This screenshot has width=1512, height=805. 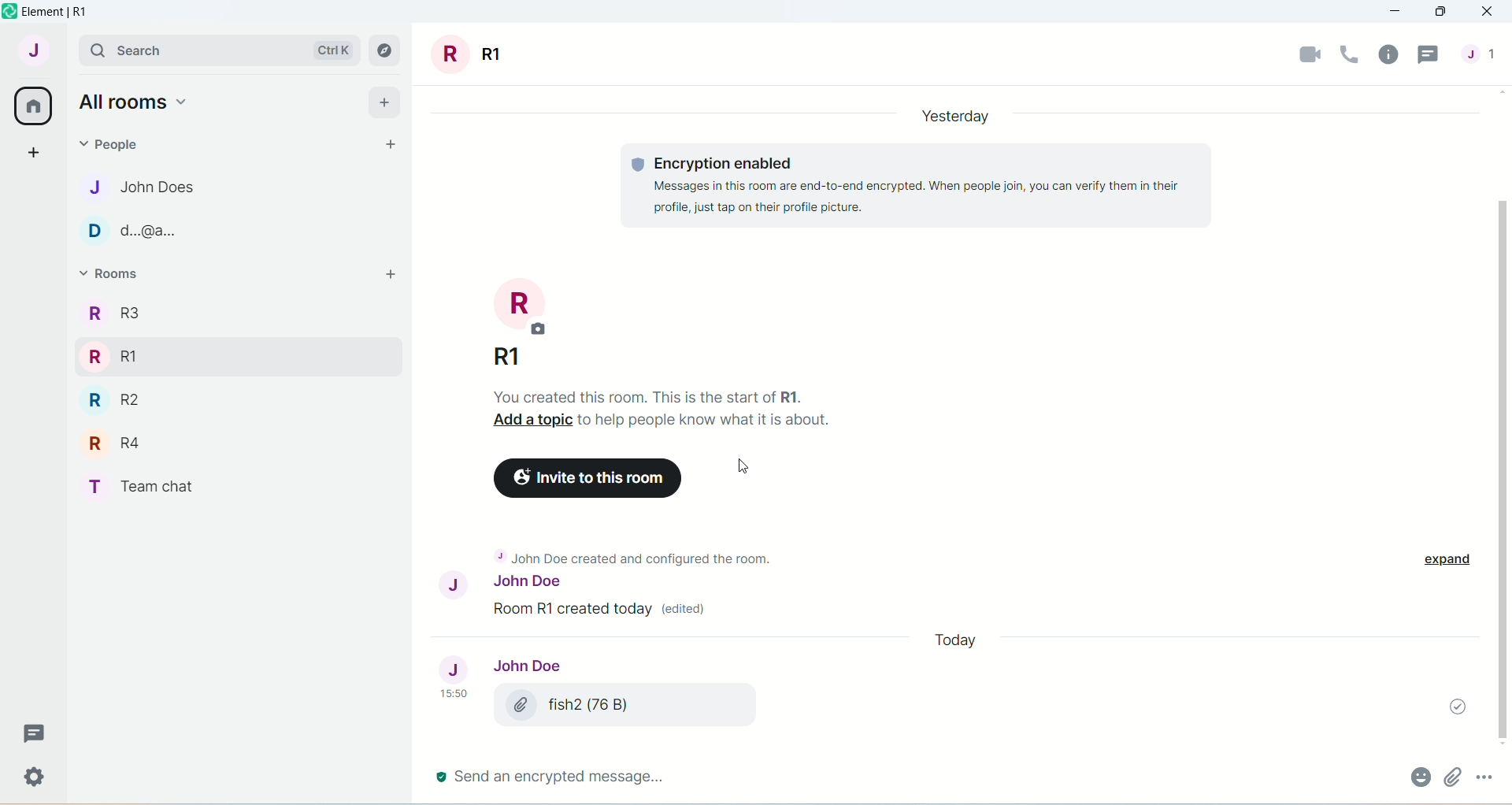 I want to click on R1, so click(x=532, y=359).